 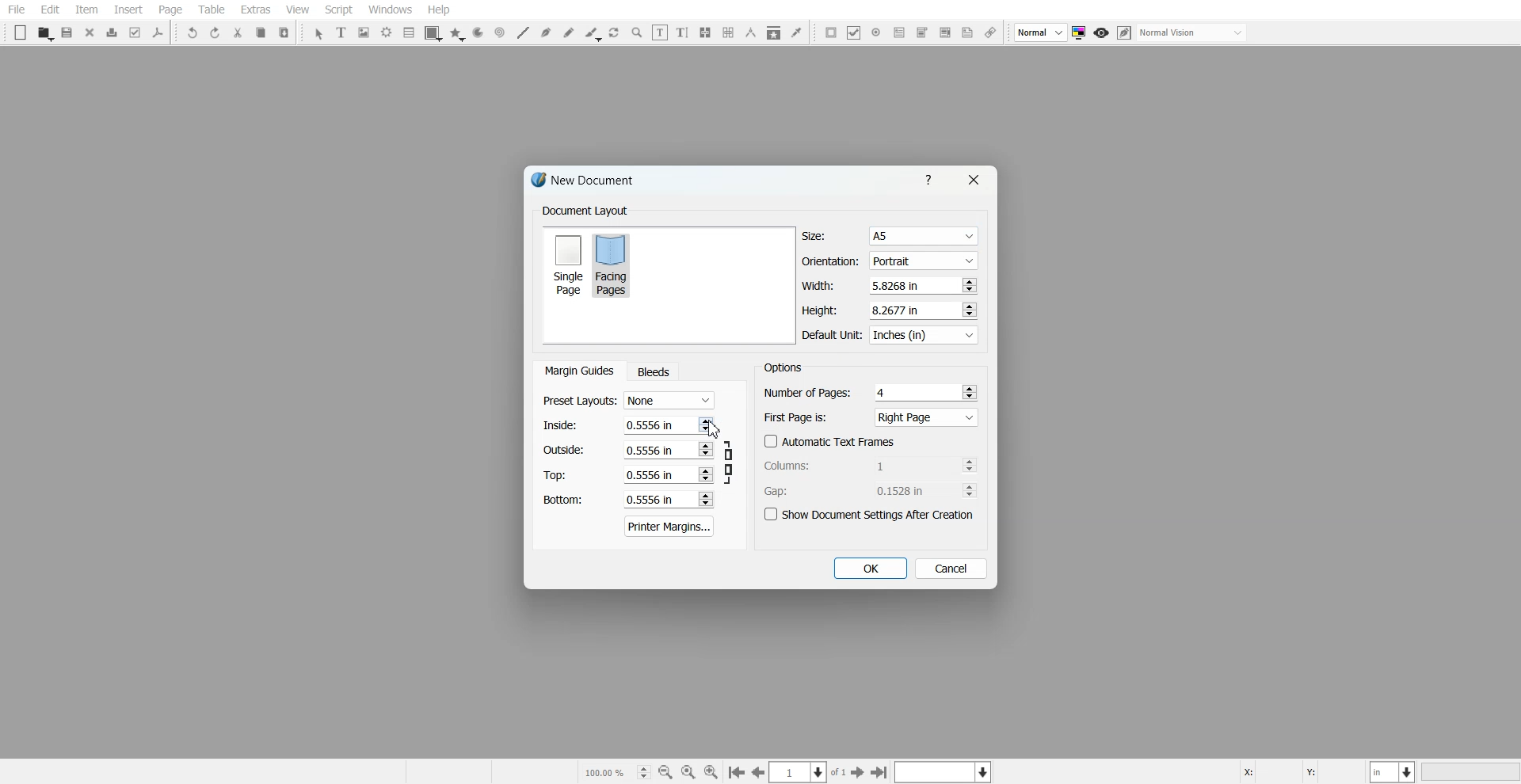 I want to click on PDF List Box, so click(x=944, y=33).